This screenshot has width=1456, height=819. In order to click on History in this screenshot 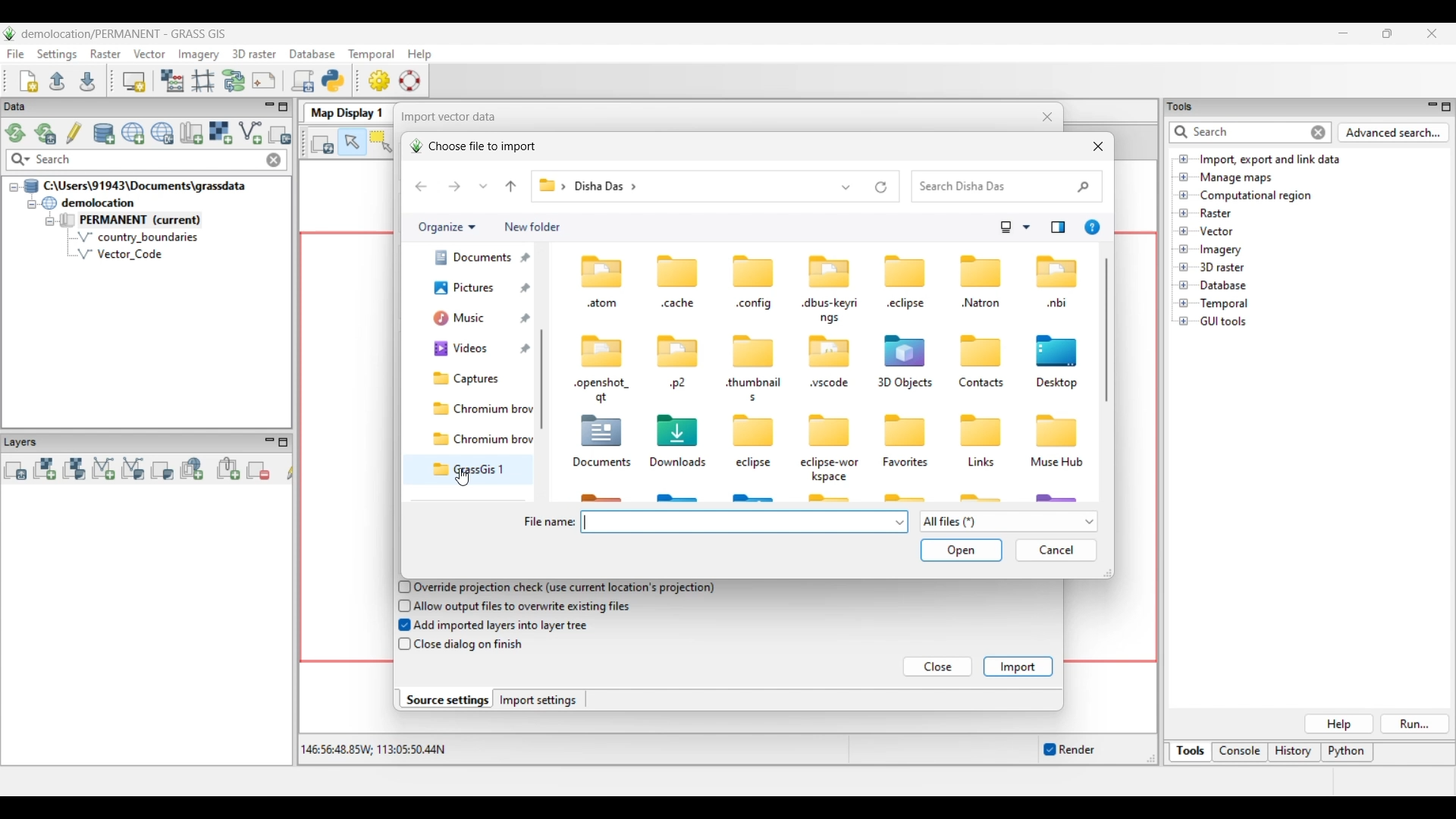, I will do `click(1294, 752)`.